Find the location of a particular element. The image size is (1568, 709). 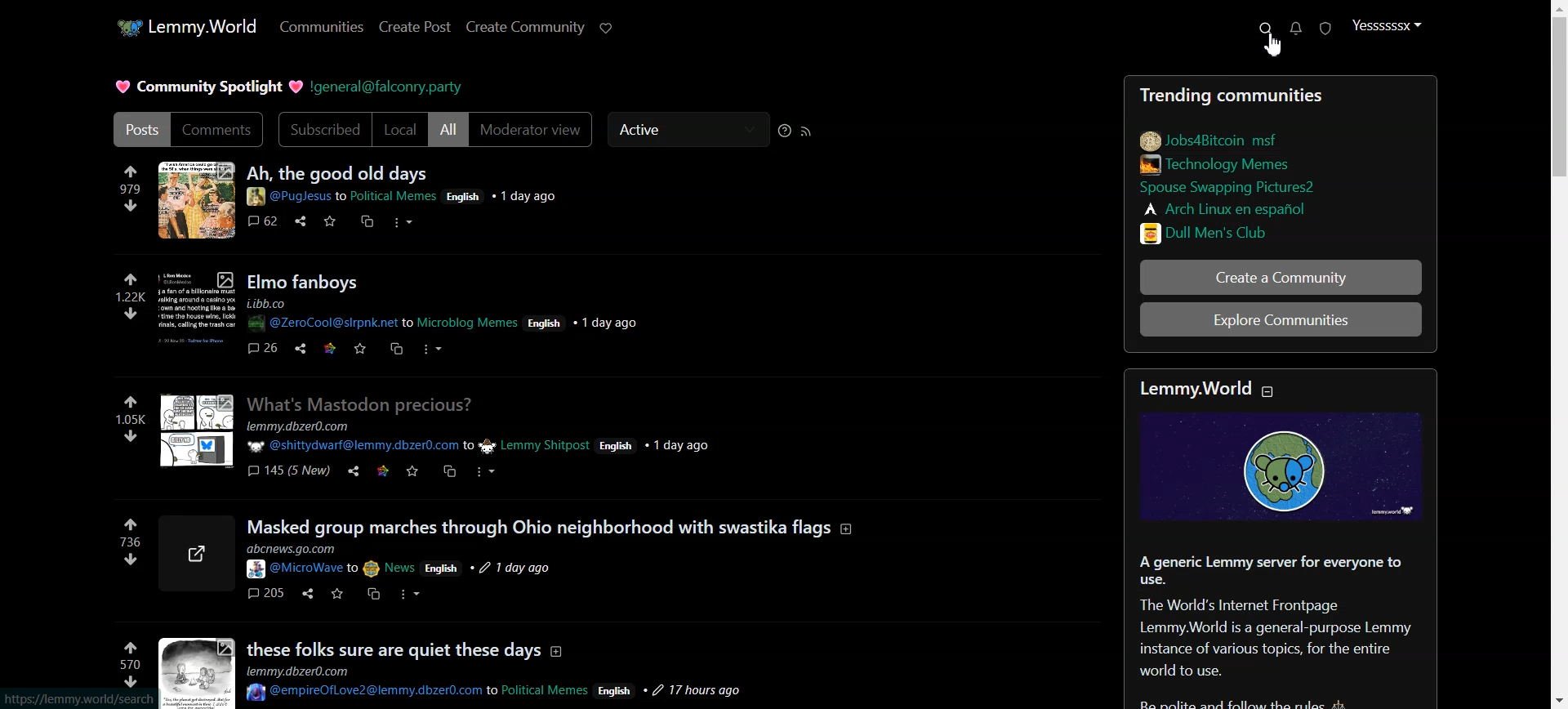

Post is located at coordinates (140, 129).